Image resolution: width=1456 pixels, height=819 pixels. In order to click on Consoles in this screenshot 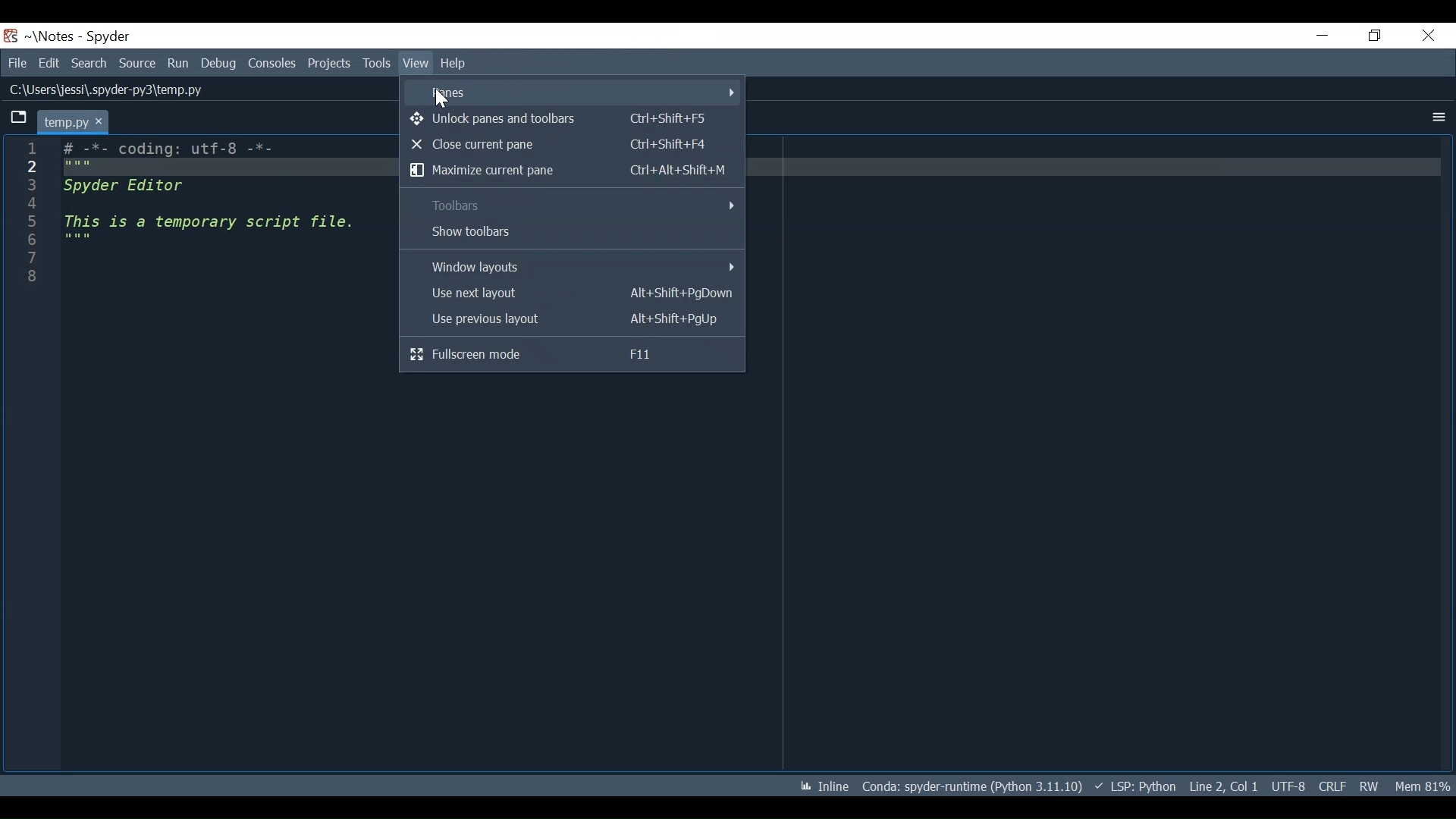, I will do `click(271, 63)`.